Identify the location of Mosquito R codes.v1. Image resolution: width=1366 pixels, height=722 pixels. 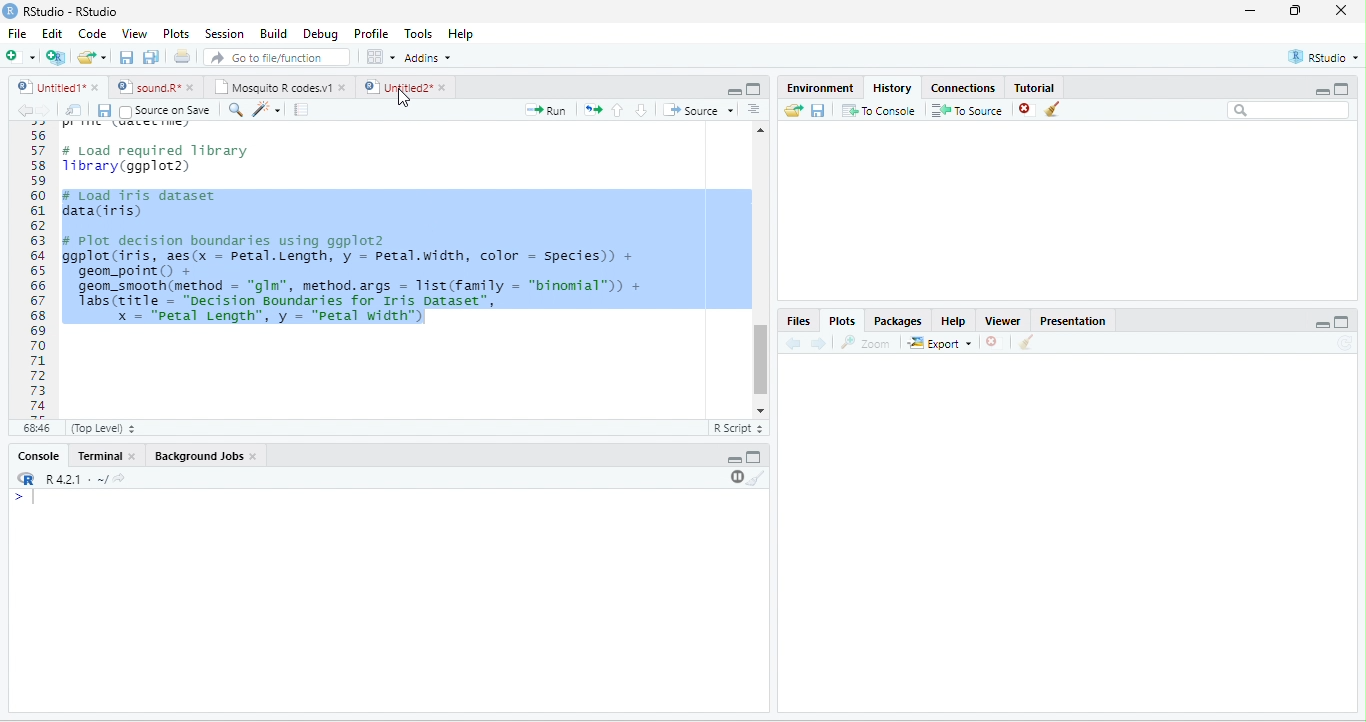
(271, 87).